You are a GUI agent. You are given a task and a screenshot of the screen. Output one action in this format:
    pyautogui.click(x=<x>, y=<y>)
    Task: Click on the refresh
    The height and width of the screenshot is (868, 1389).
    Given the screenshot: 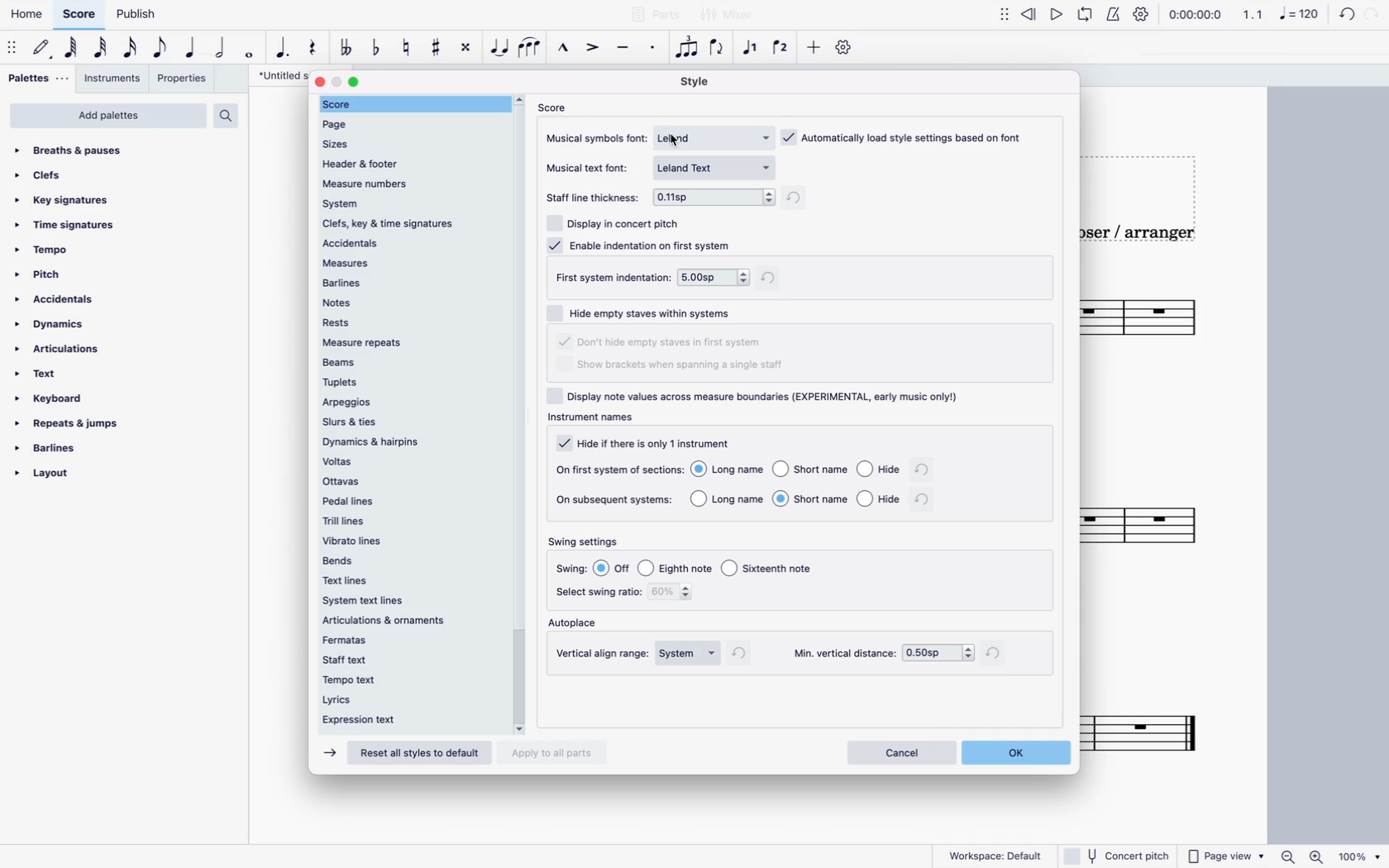 What is the action you would take?
    pyautogui.click(x=743, y=653)
    